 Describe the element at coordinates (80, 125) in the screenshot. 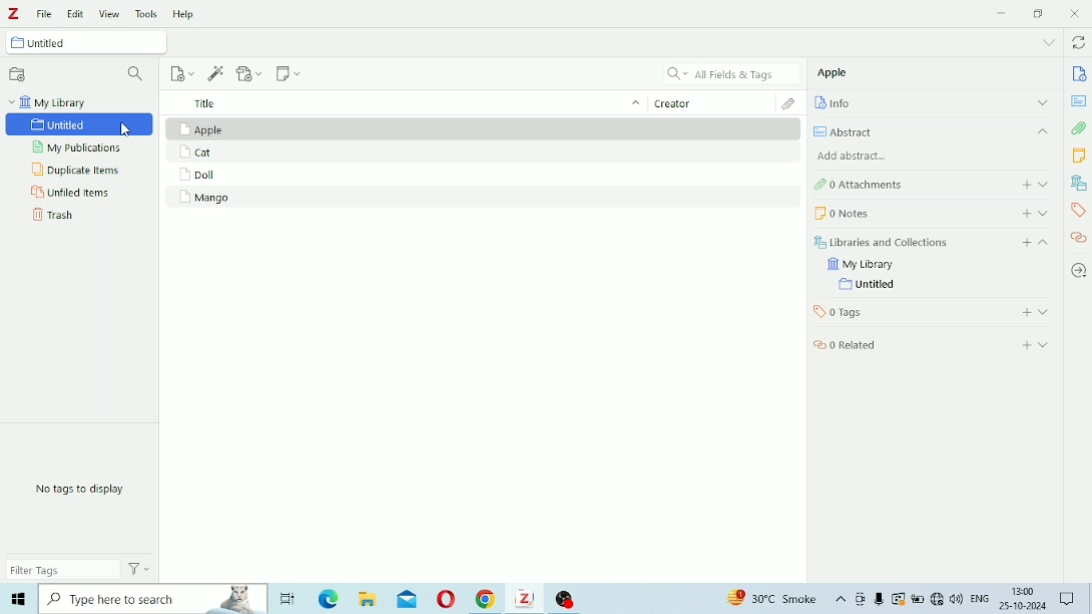

I see `Untitled` at that location.